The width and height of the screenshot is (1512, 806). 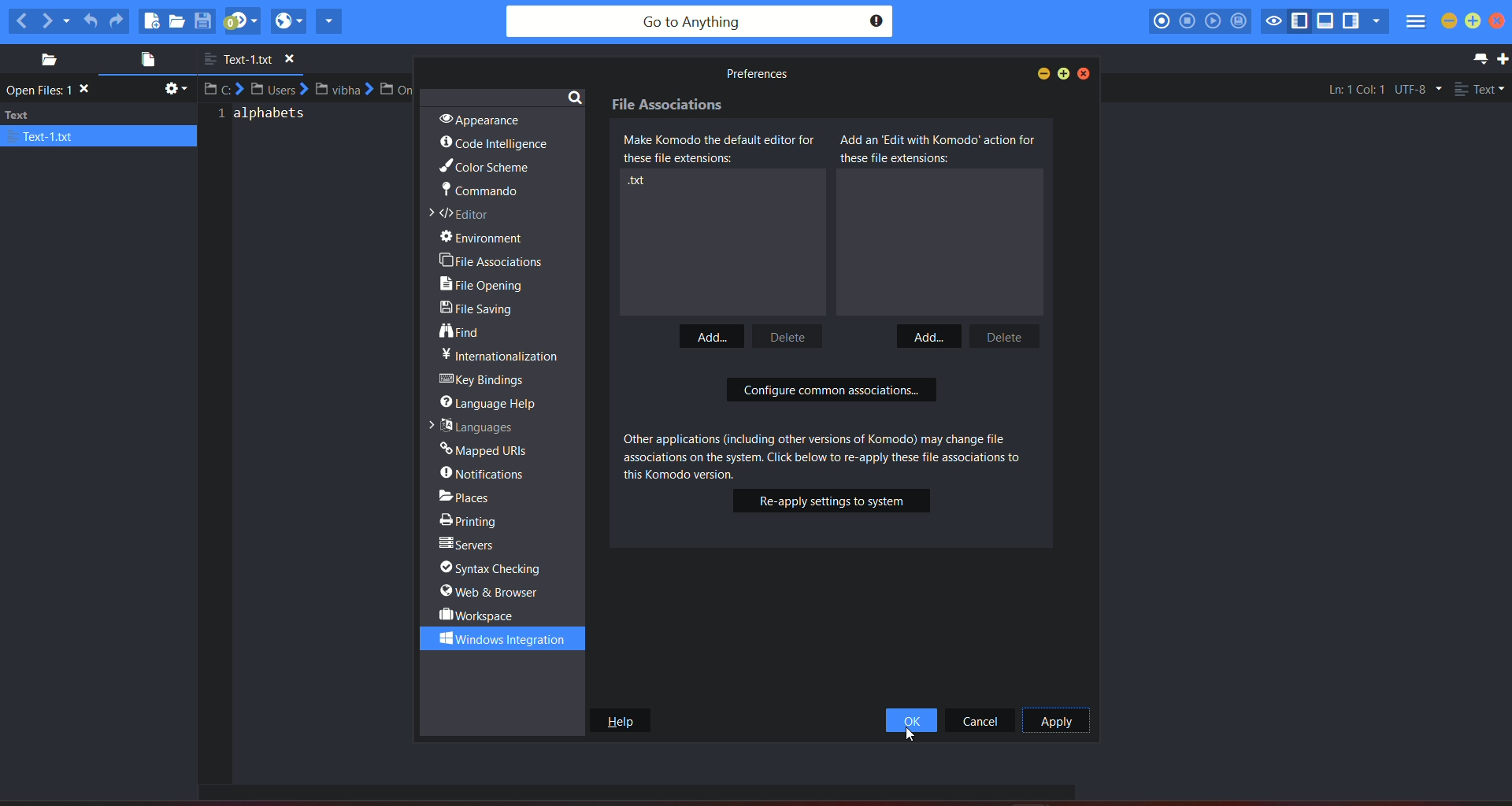 What do you see at coordinates (1414, 24) in the screenshot?
I see `menu` at bounding box center [1414, 24].